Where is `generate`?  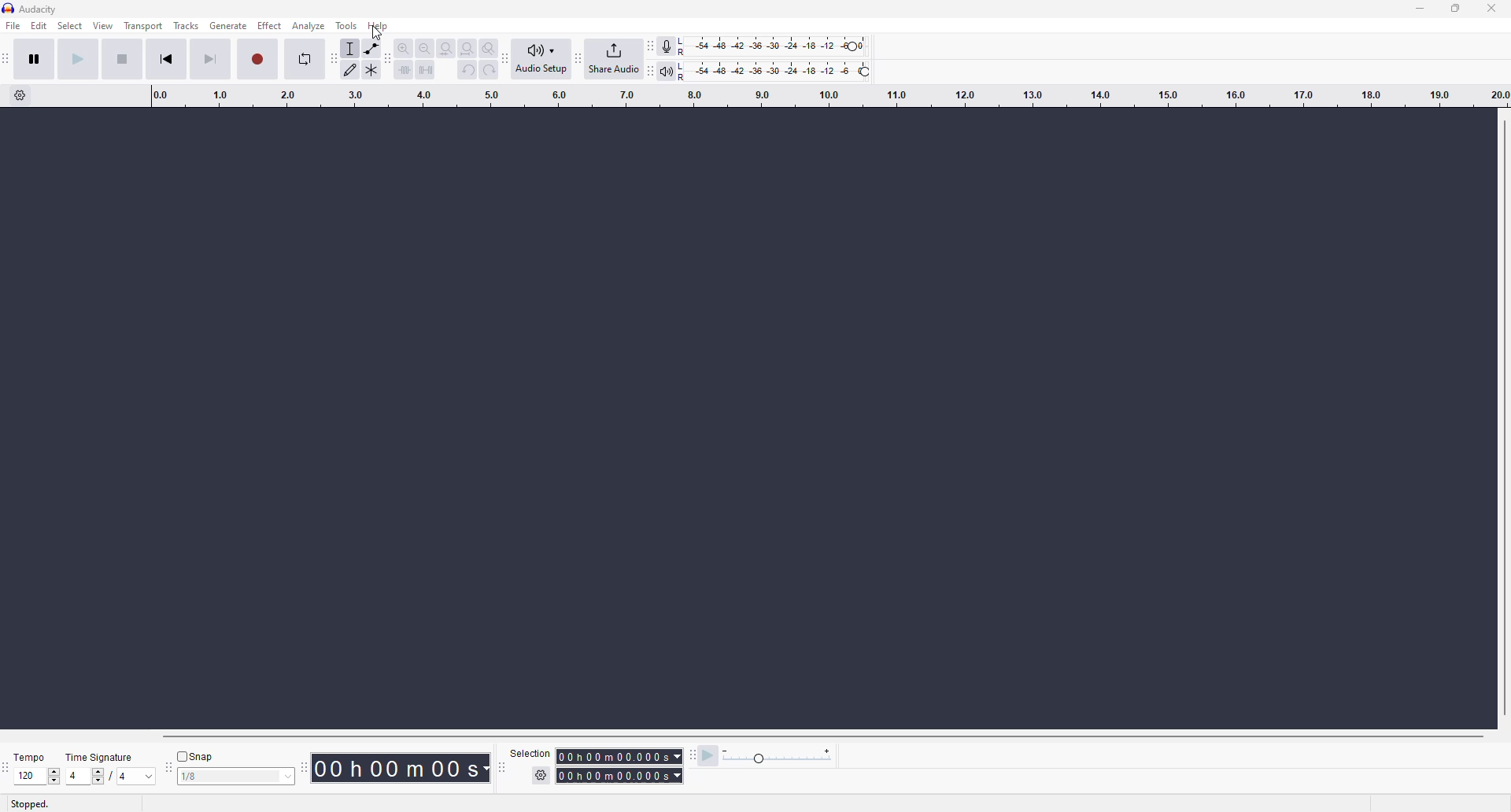
generate is located at coordinates (229, 28).